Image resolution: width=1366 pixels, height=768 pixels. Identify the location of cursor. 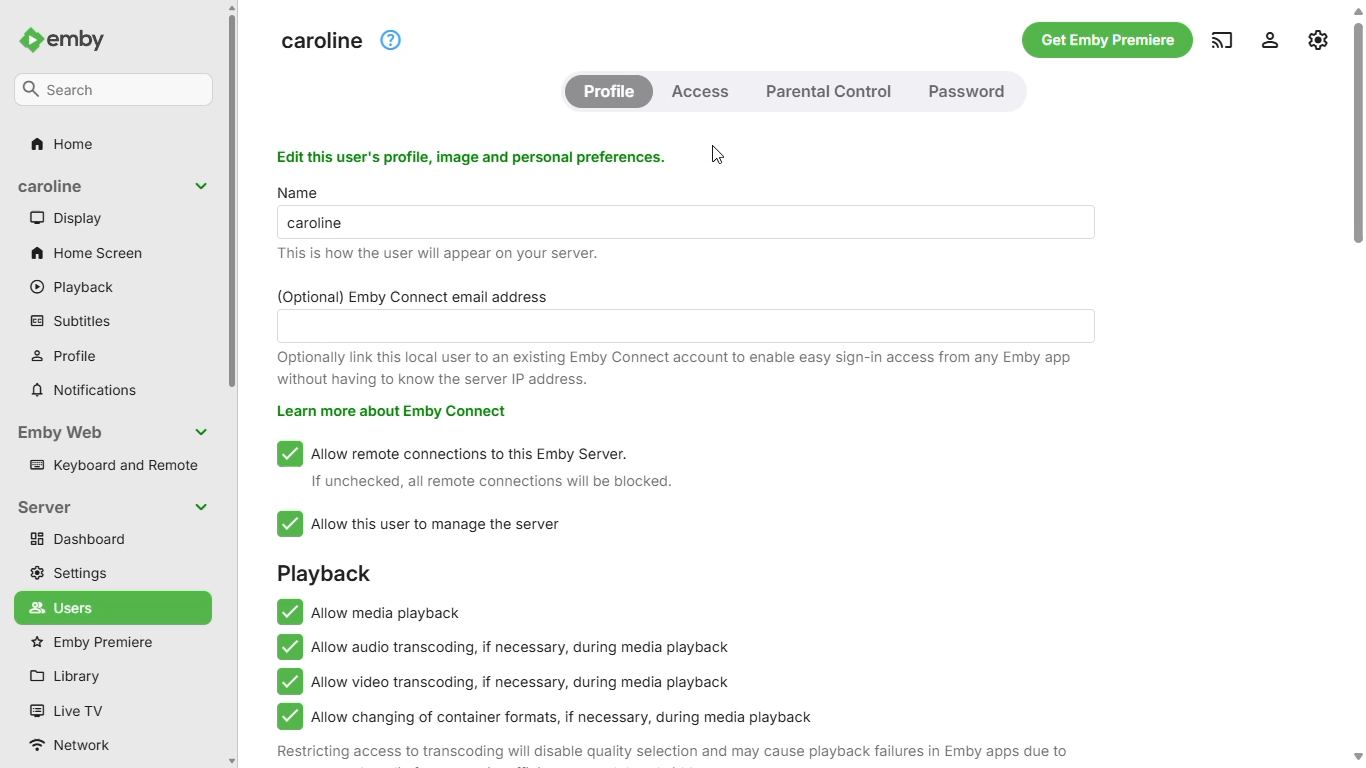
(717, 154).